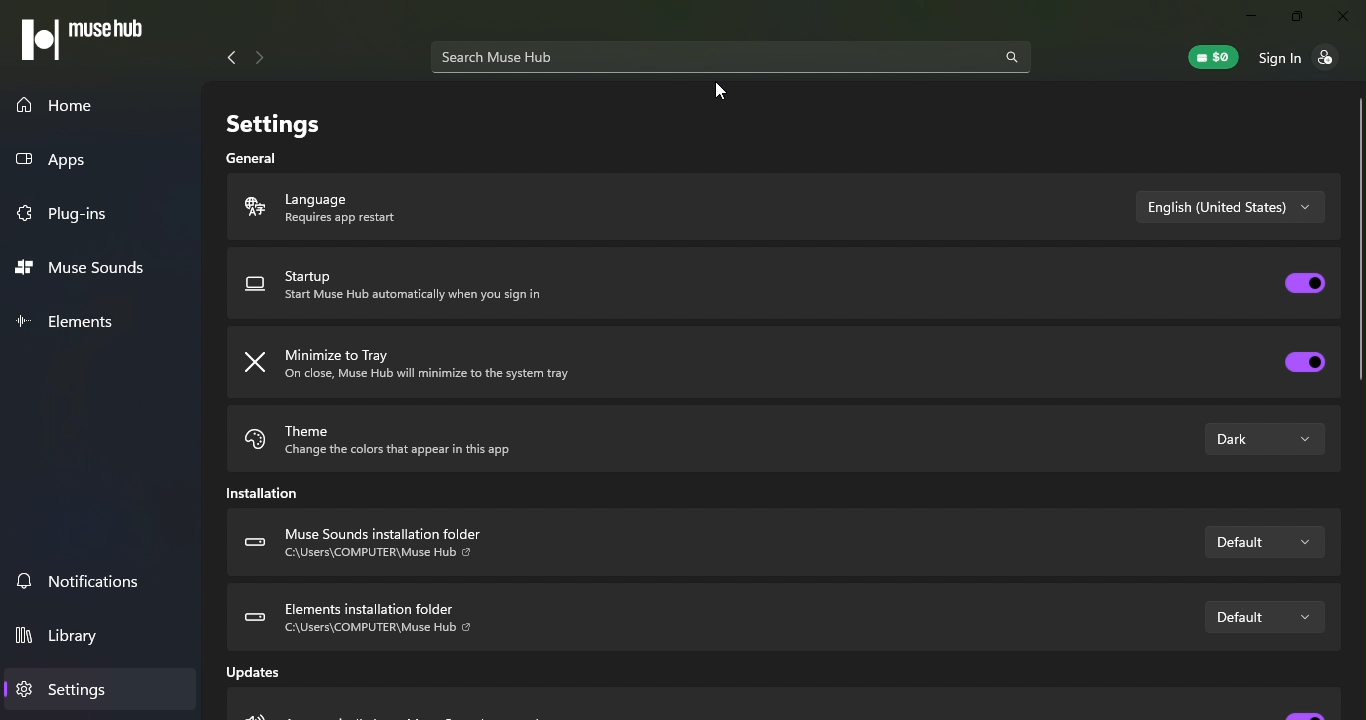 This screenshot has width=1366, height=720. What do you see at coordinates (263, 677) in the screenshot?
I see `Updates` at bounding box center [263, 677].